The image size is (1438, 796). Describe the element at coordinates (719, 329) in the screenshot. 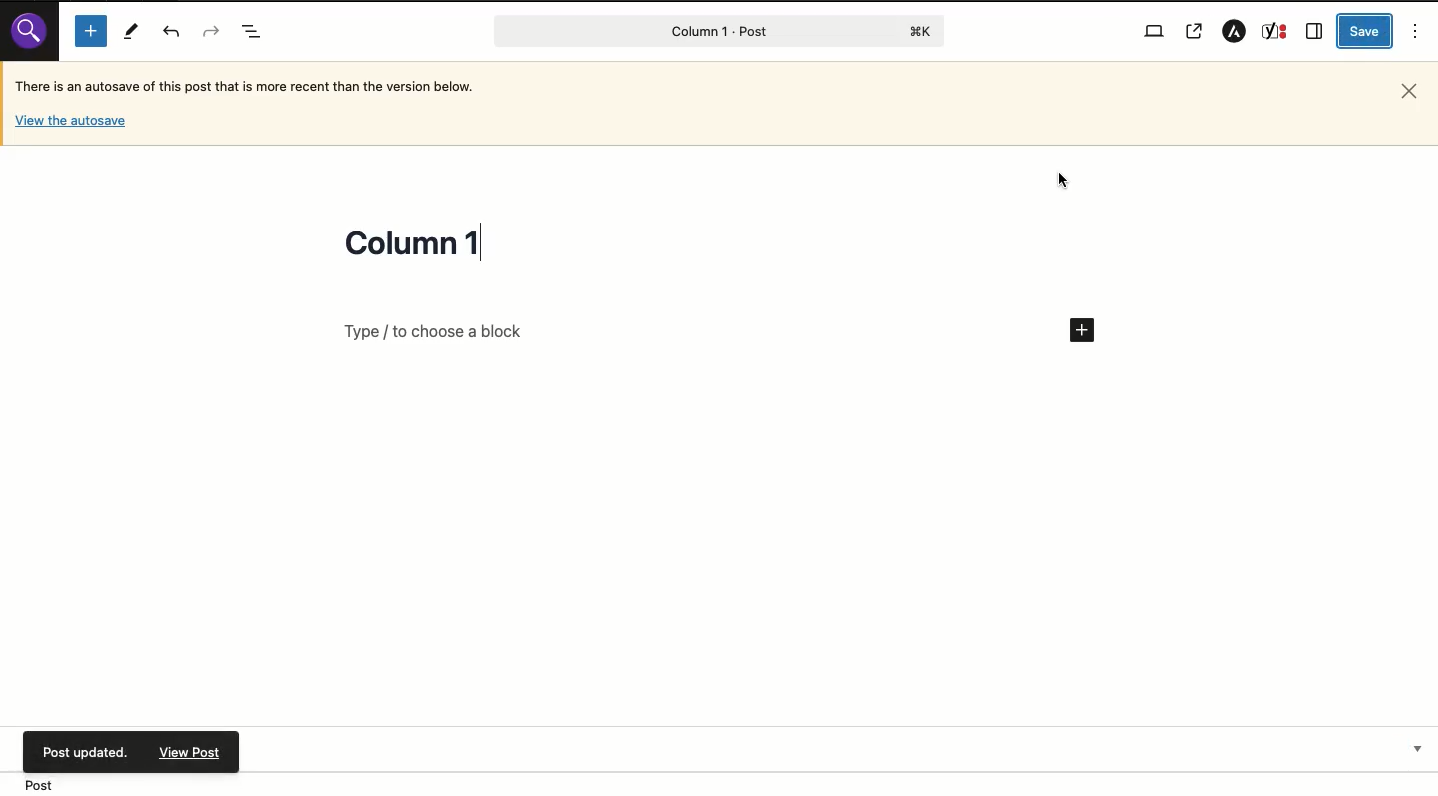

I see `Add new block` at that location.